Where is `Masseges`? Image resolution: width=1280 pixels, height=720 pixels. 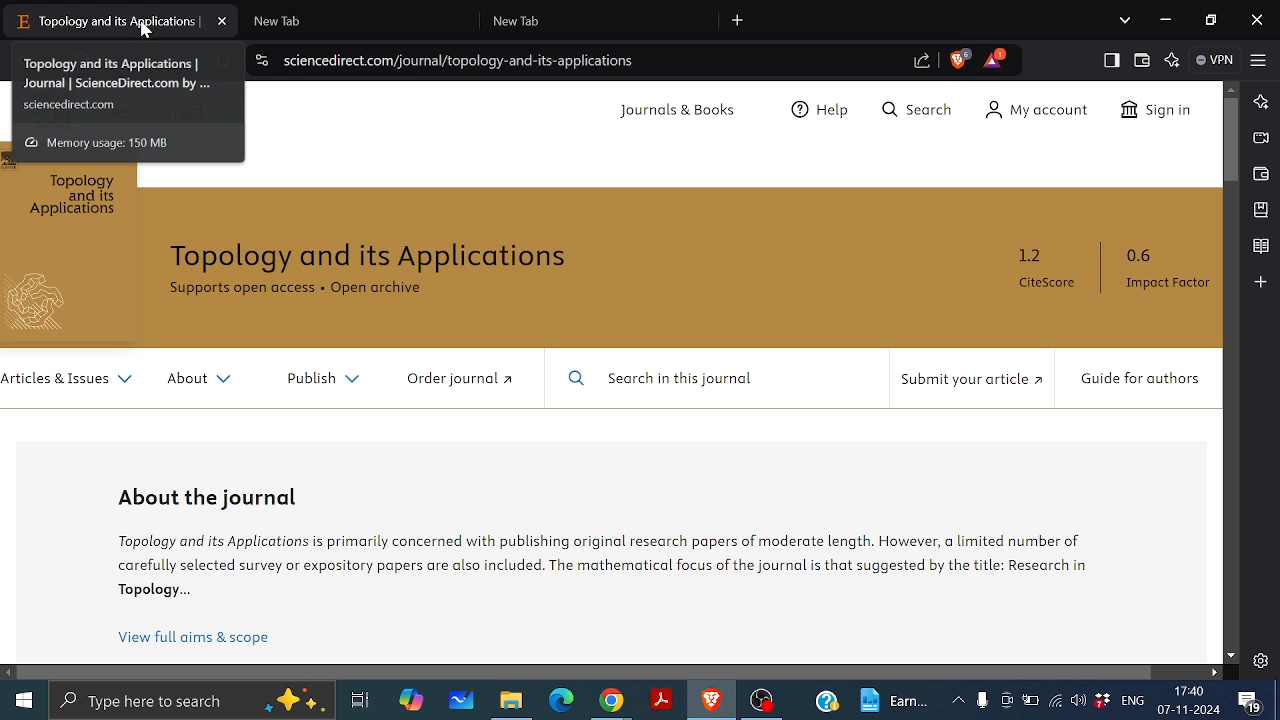 Masseges is located at coordinates (1253, 703).